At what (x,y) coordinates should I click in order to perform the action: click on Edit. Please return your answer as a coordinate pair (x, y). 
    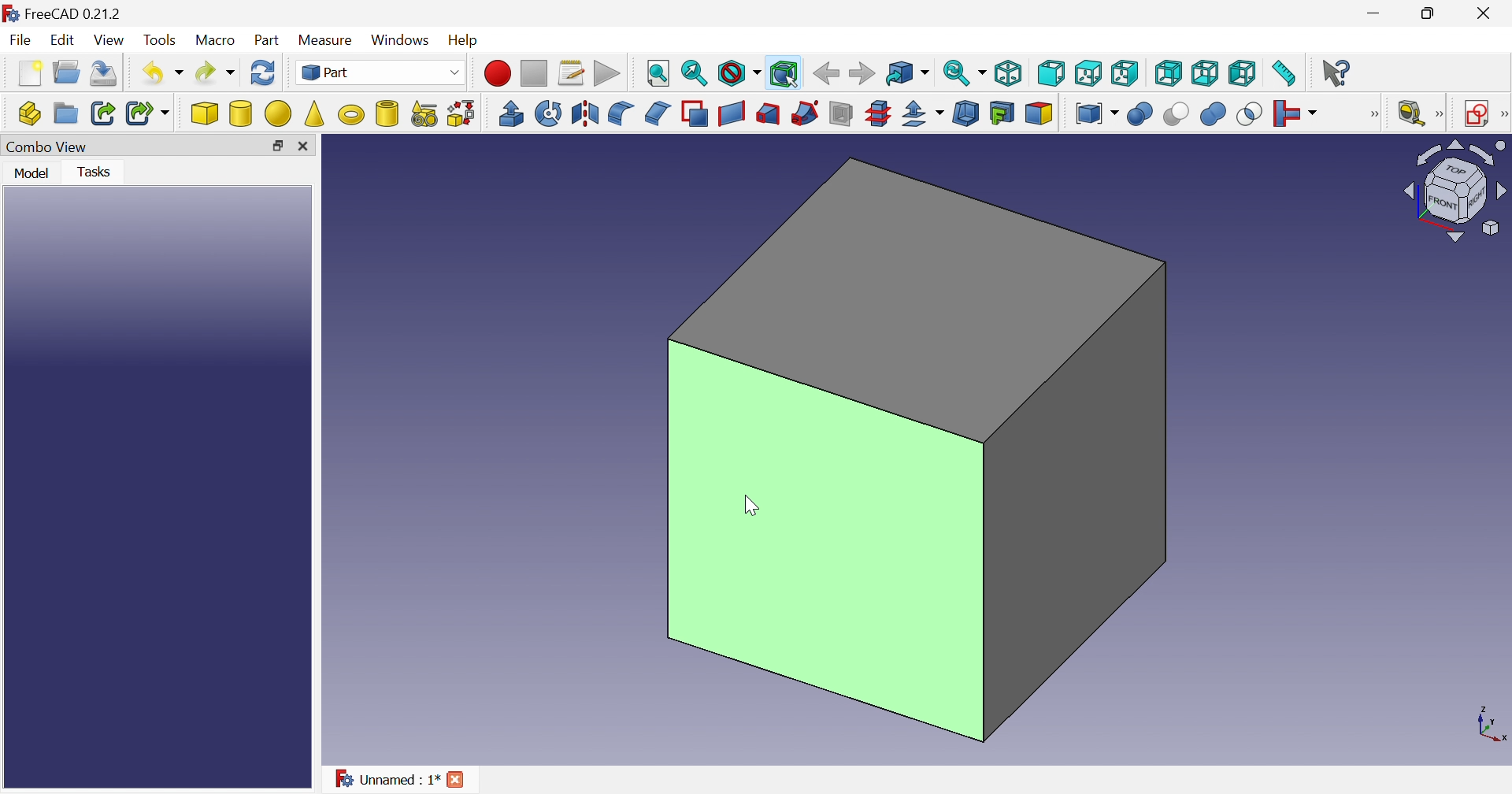
    Looking at the image, I should click on (65, 42).